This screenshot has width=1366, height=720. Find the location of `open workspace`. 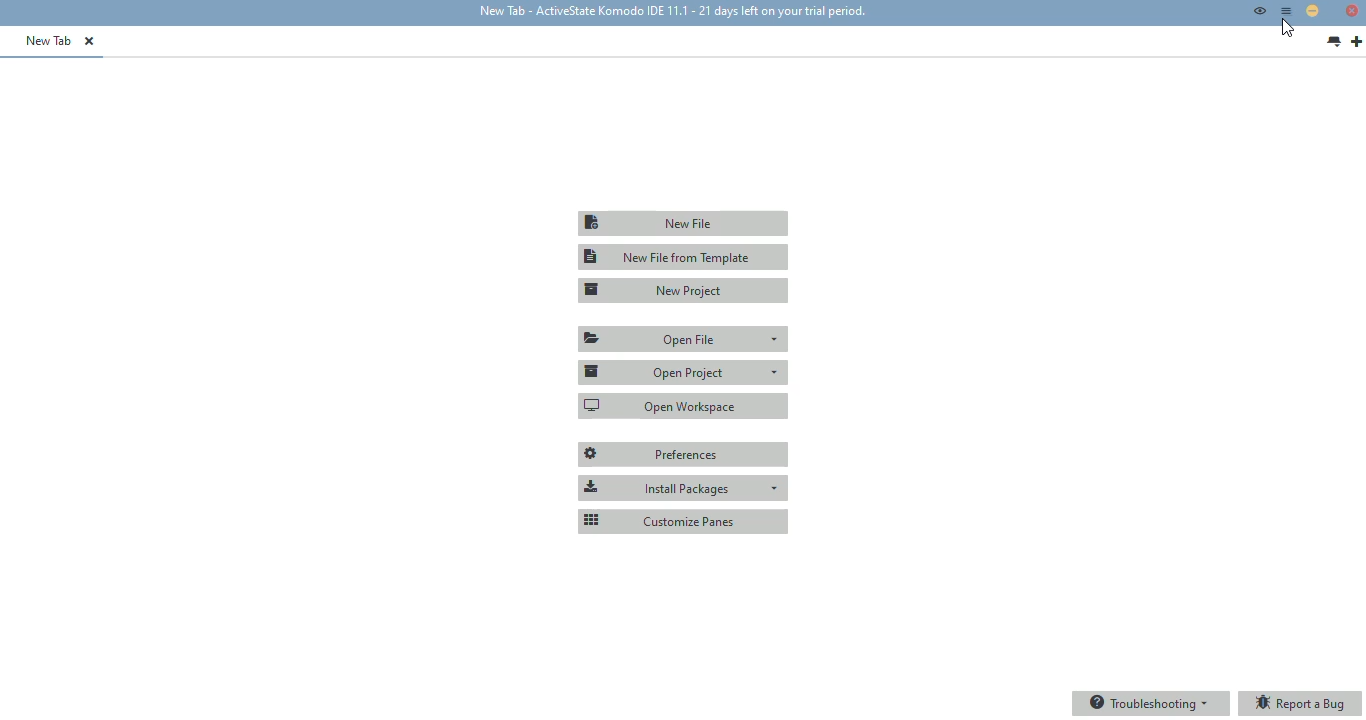

open workspace is located at coordinates (684, 405).